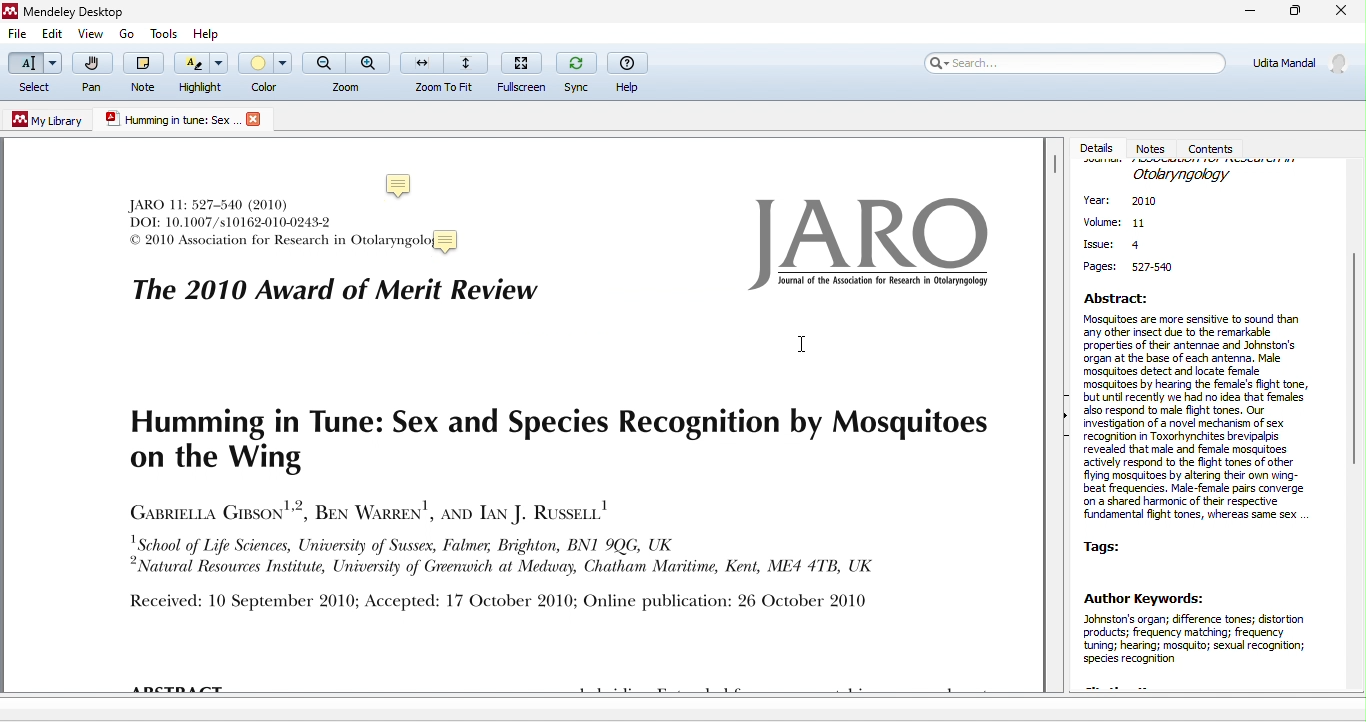 The height and width of the screenshot is (722, 1366). Describe the element at coordinates (1133, 203) in the screenshot. I see `year:2010` at that location.